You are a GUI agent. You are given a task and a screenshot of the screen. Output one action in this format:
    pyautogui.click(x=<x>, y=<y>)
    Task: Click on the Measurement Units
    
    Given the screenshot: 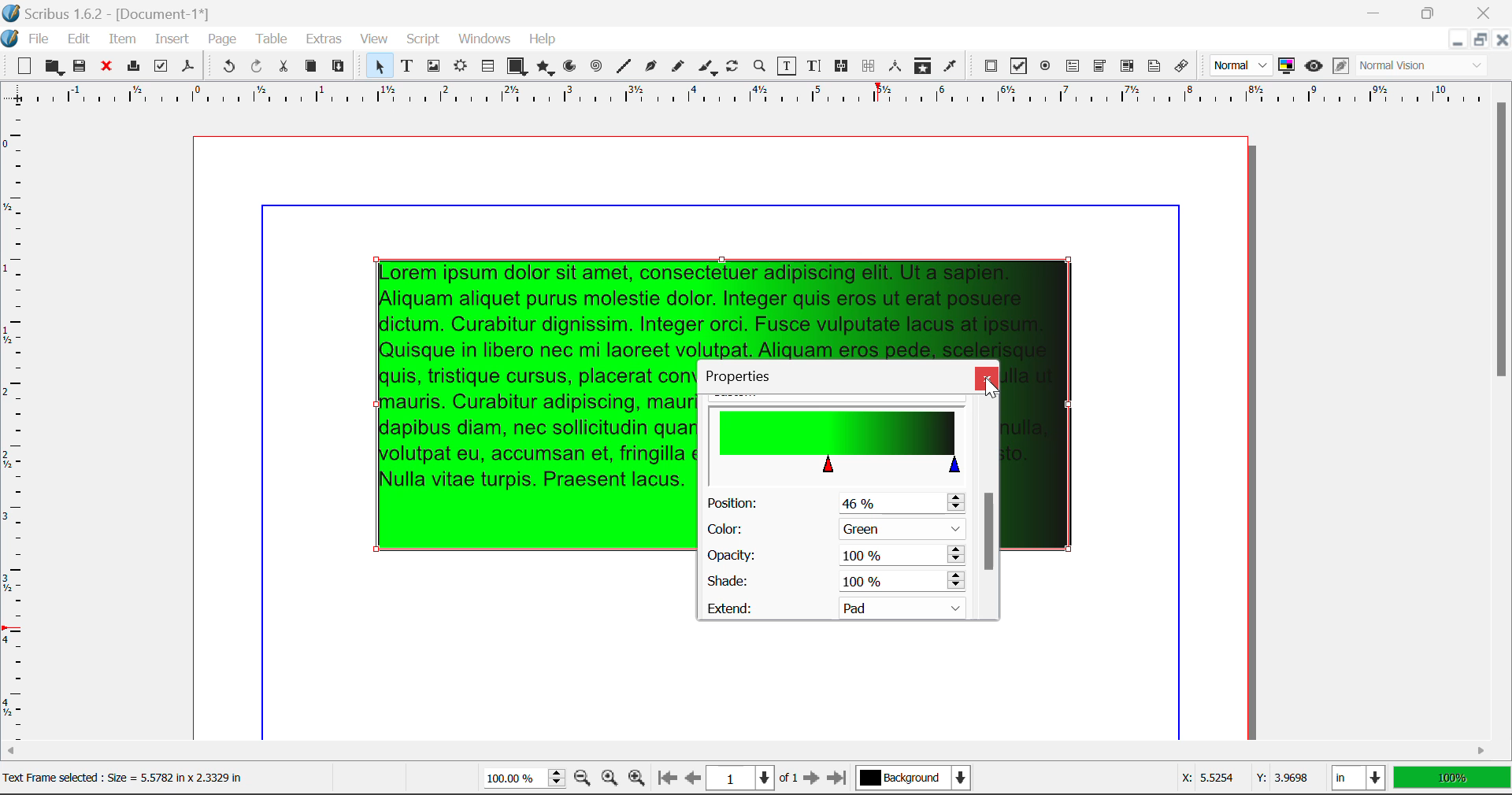 What is the action you would take?
    pyautogui.click(x=1360, y=780)
    